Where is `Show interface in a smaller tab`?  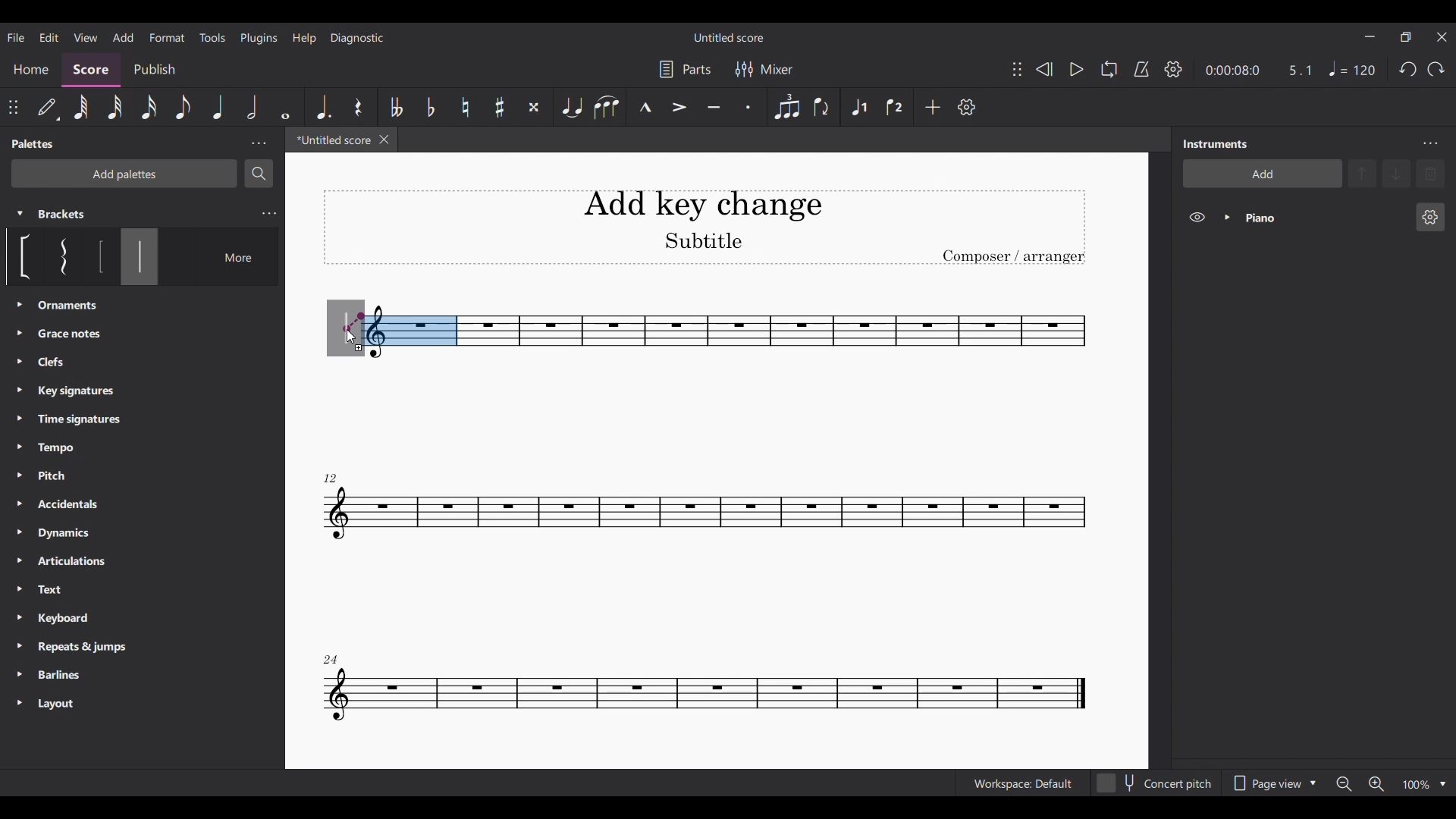 Show interface in a smaller tab is located at coordinates (1406, 37).